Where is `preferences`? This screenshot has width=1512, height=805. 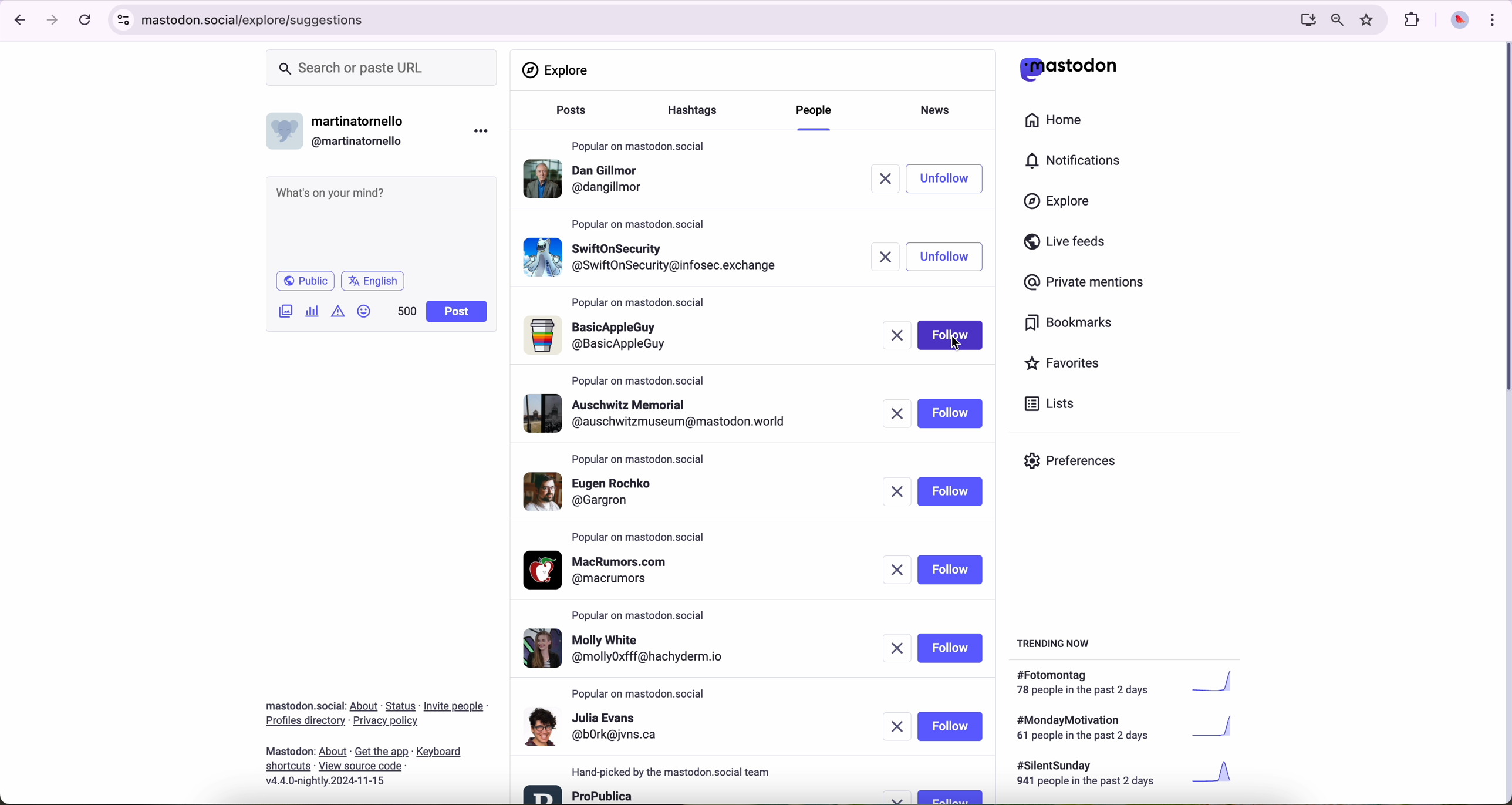
preferences is located at coordinates (1079, 465).